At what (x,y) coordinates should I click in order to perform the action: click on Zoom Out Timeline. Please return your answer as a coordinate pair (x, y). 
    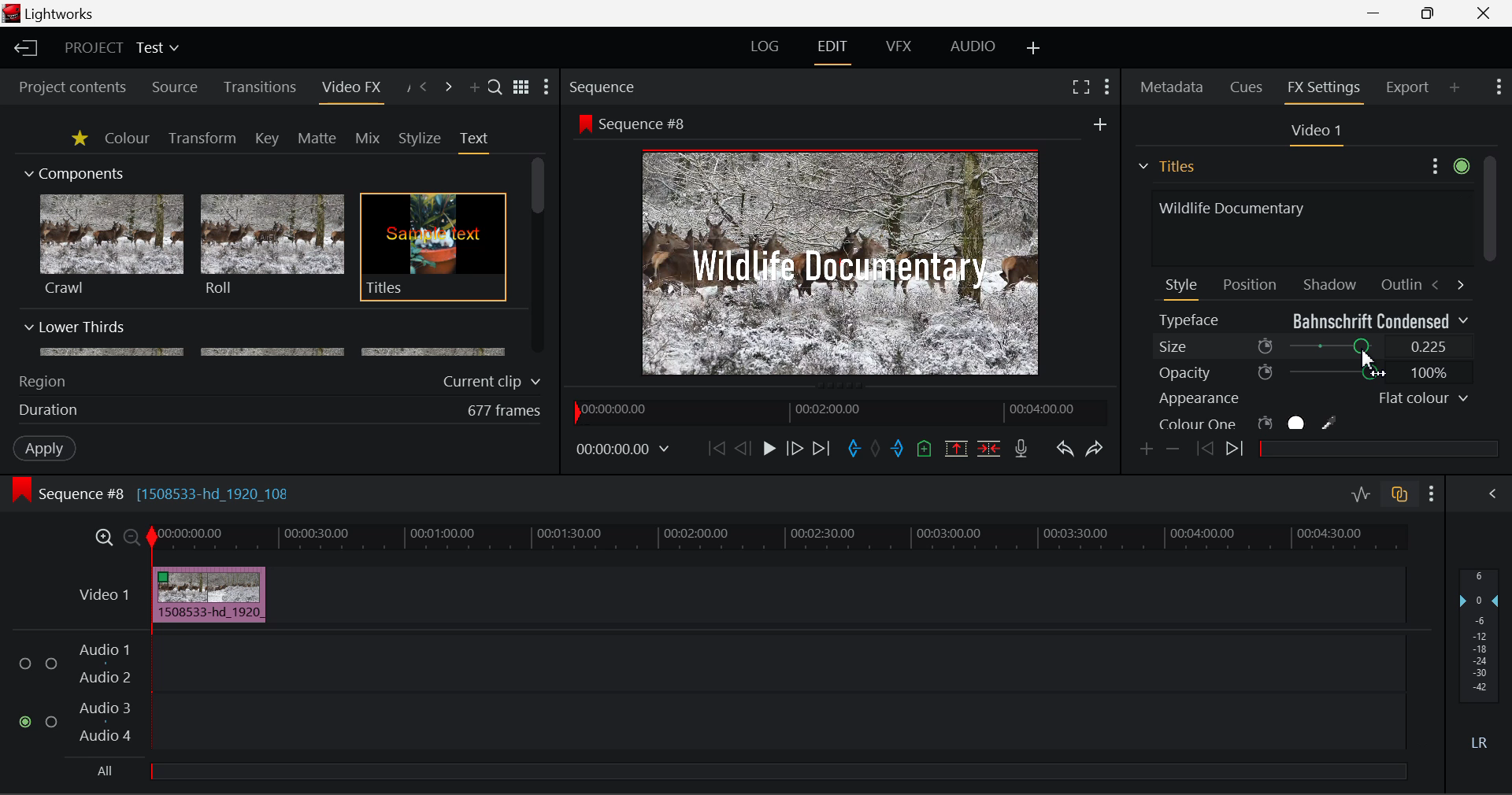
    Looking at the image, I should click on (132, 539).